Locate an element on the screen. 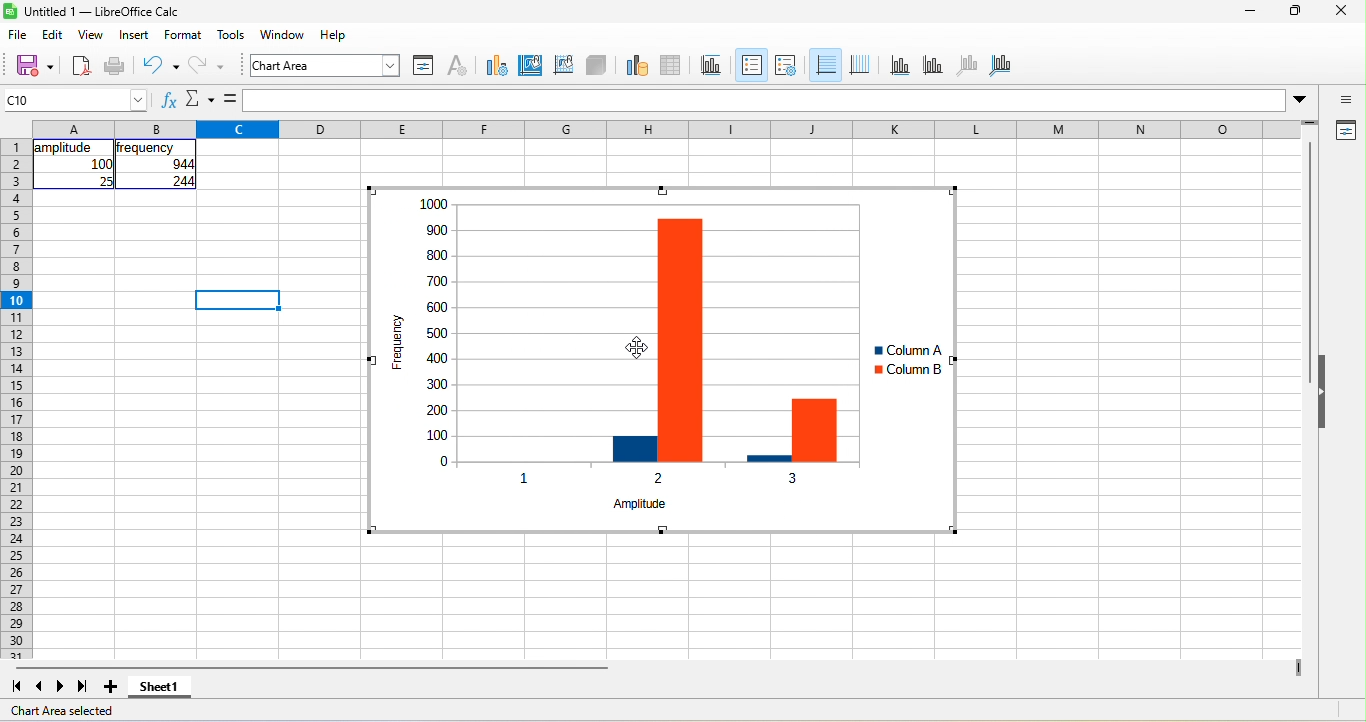 The image size is (1366, 722). add new sheet is located at coordinates (110, 687).